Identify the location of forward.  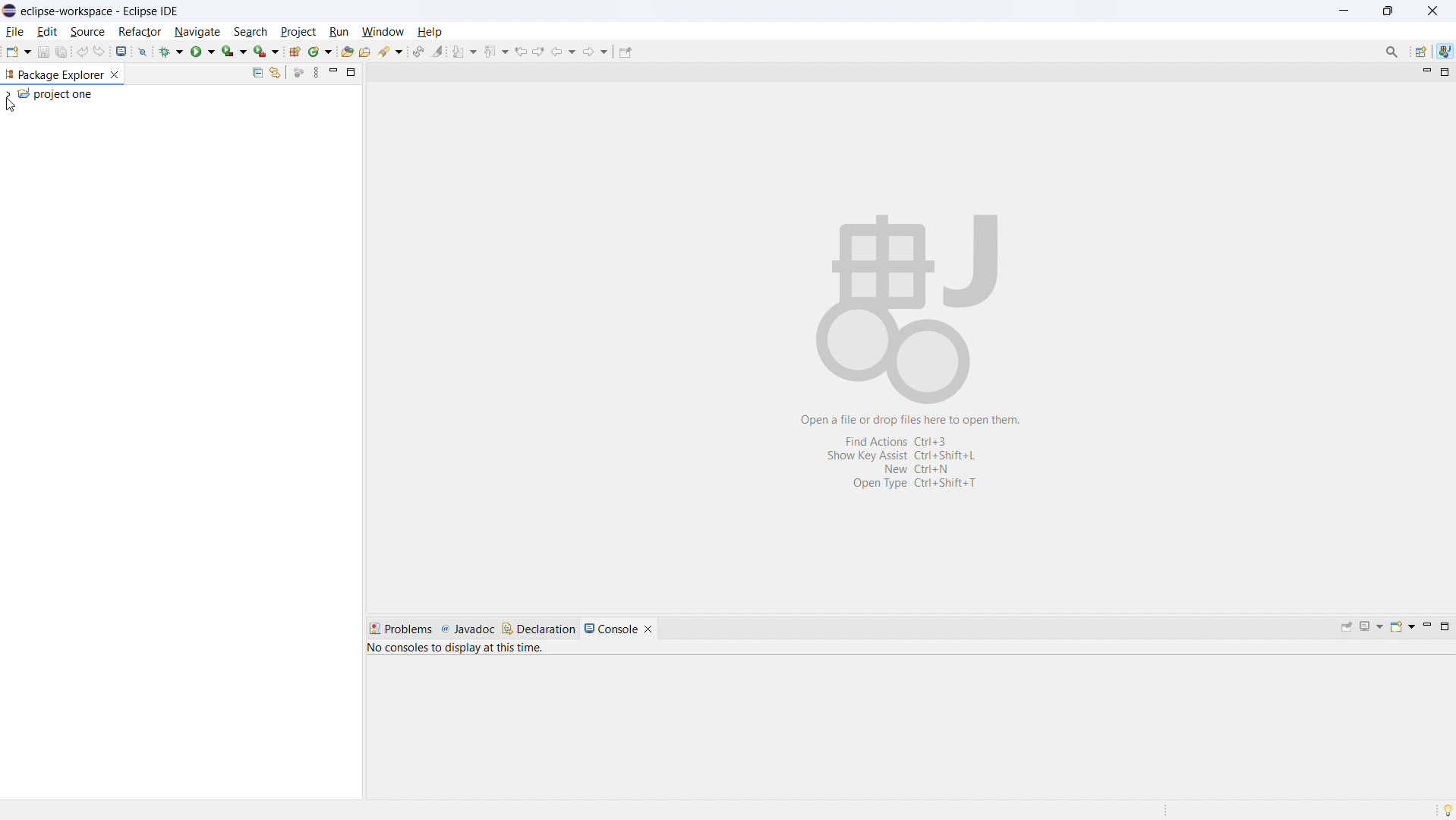
(595, 50).